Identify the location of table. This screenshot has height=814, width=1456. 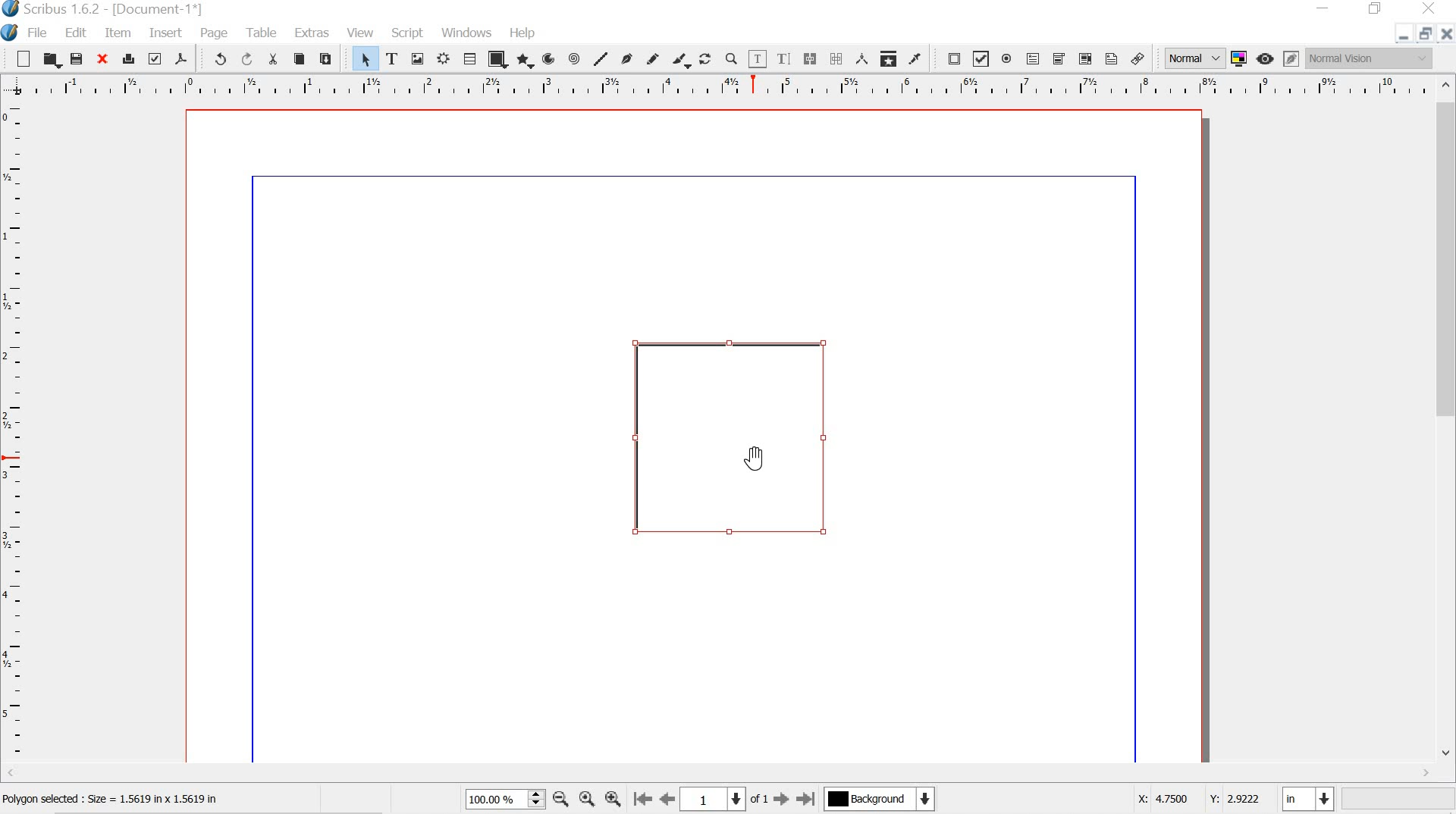
(469, 58).